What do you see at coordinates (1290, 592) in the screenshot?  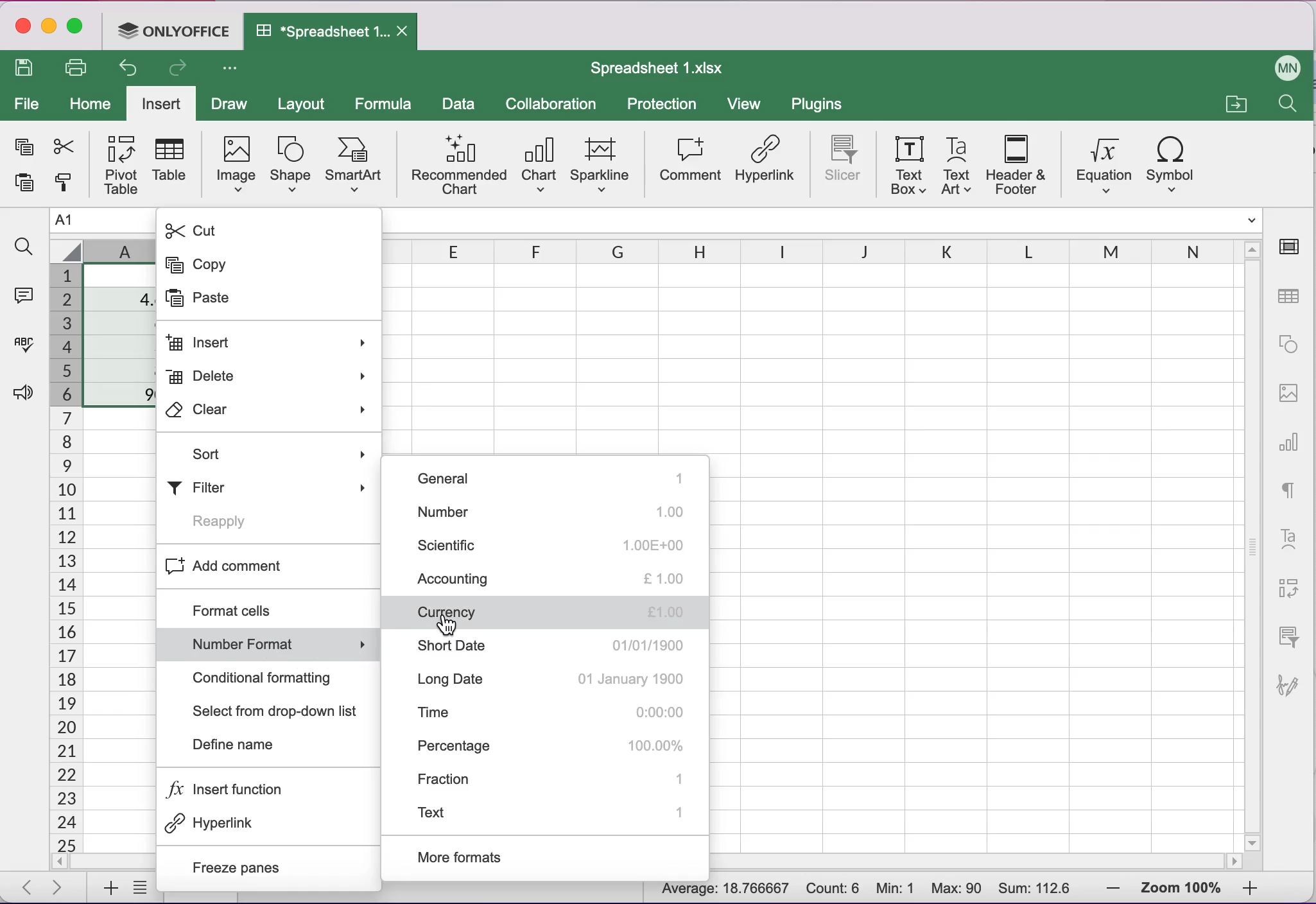 I see `pivot table` at bounding box center [1290, 592].